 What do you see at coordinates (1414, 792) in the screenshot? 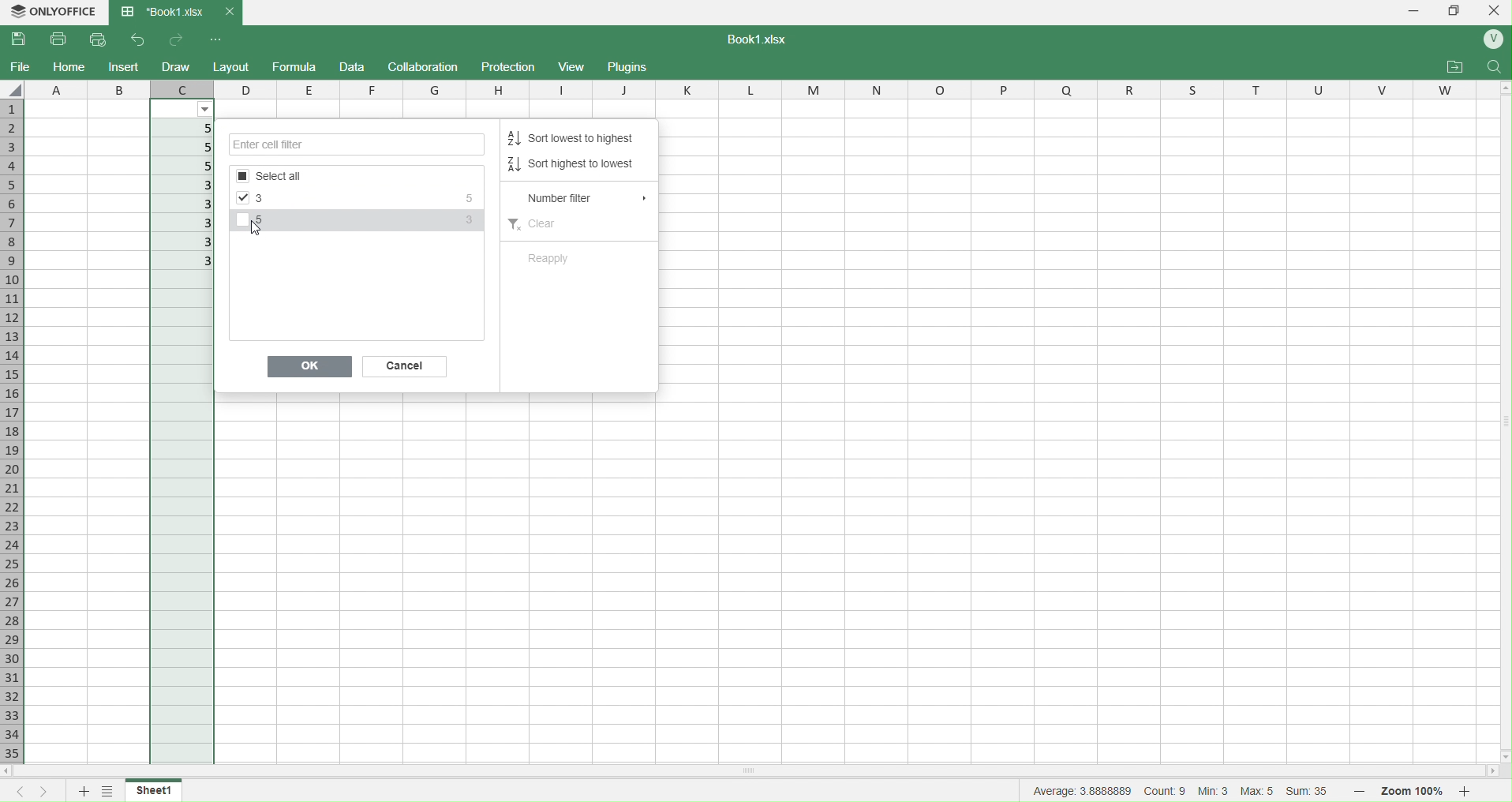
I see `Zoom` at bounding box center [1414, 792].